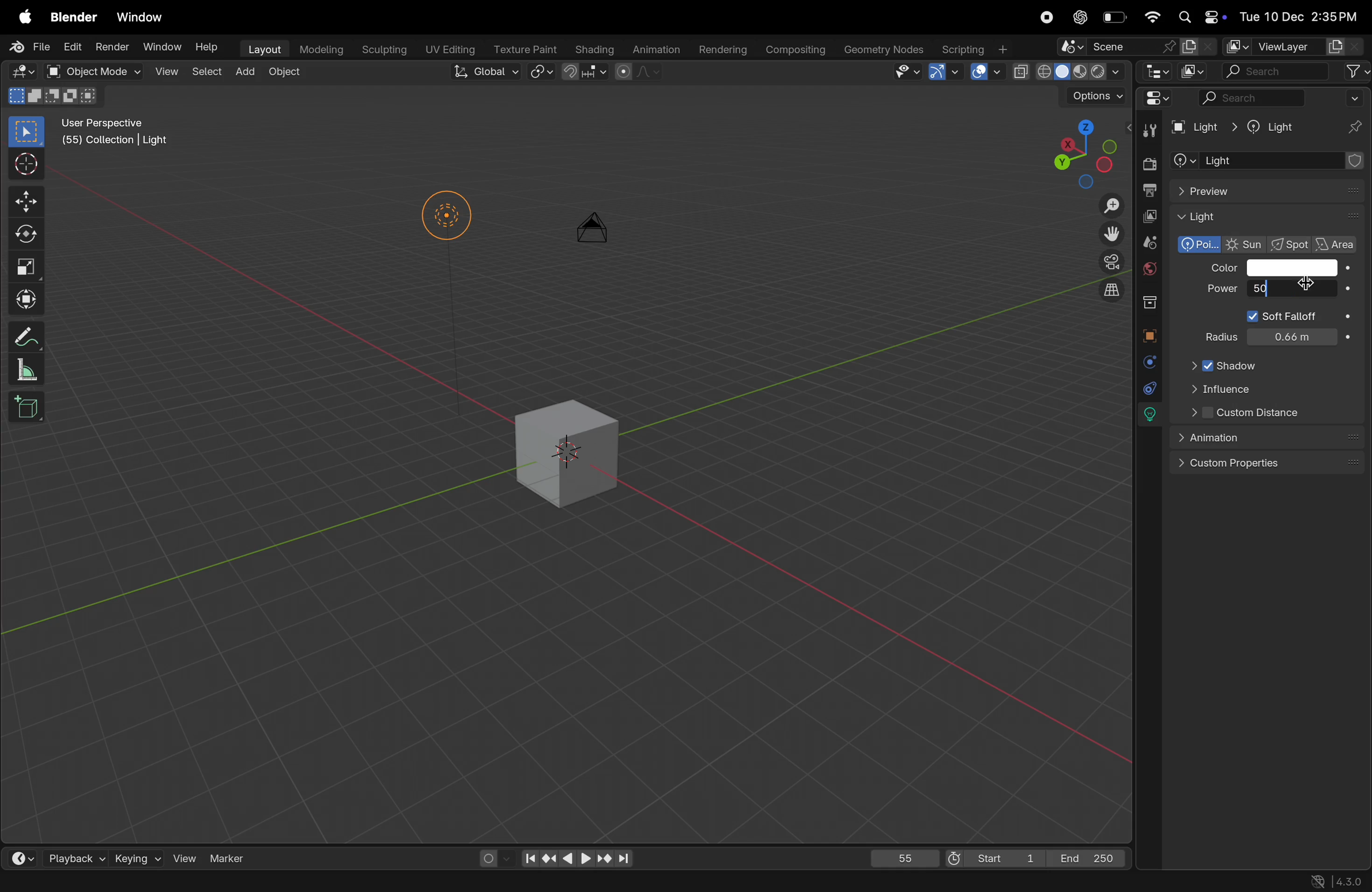  Describe the element at coordinates (262, 48) in the screenshot. I see `layout` at that location.